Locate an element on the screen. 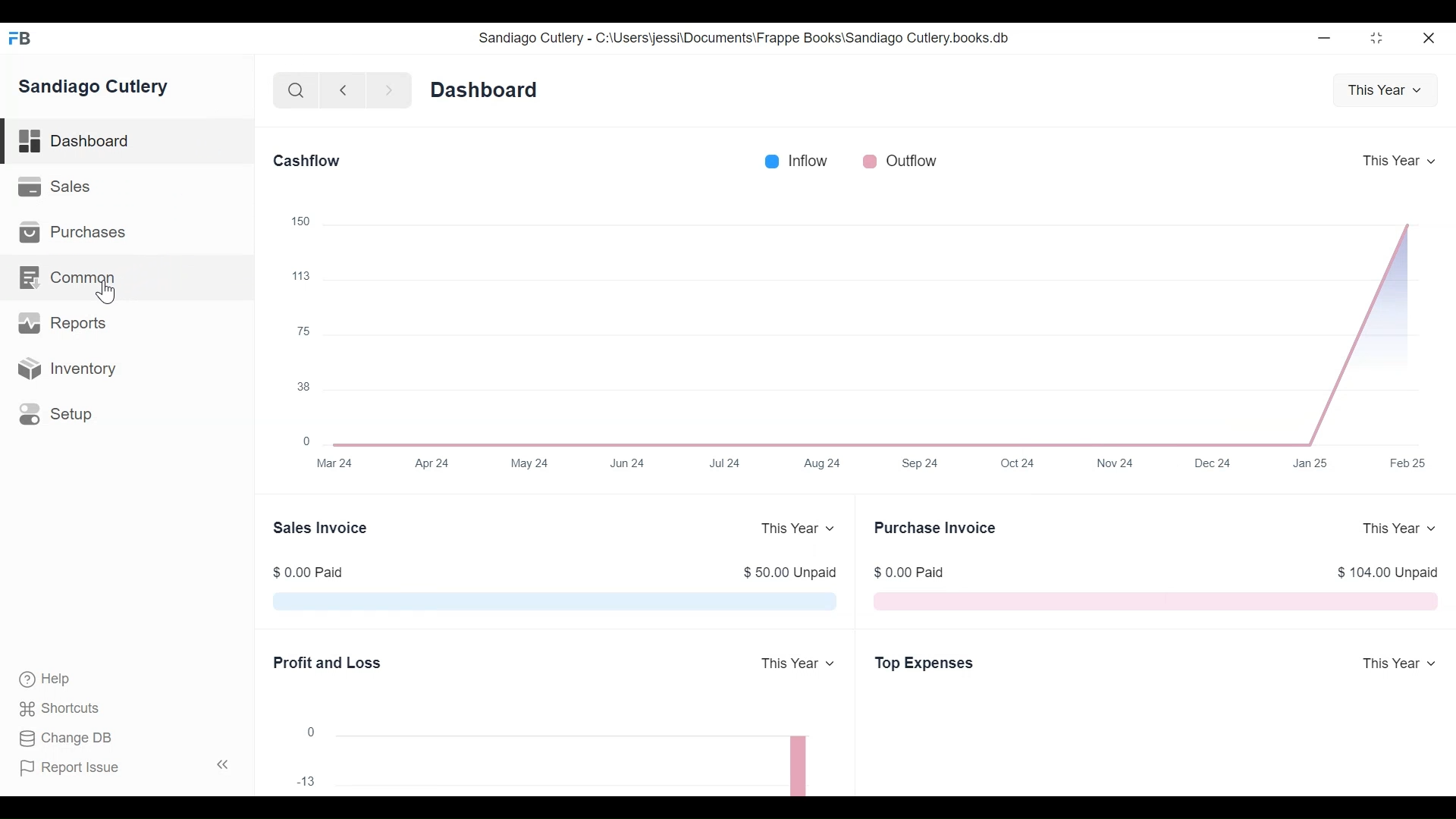 The height and width of the screenshot is (819, 1456). Inventory is located at coordinates (68, 369).